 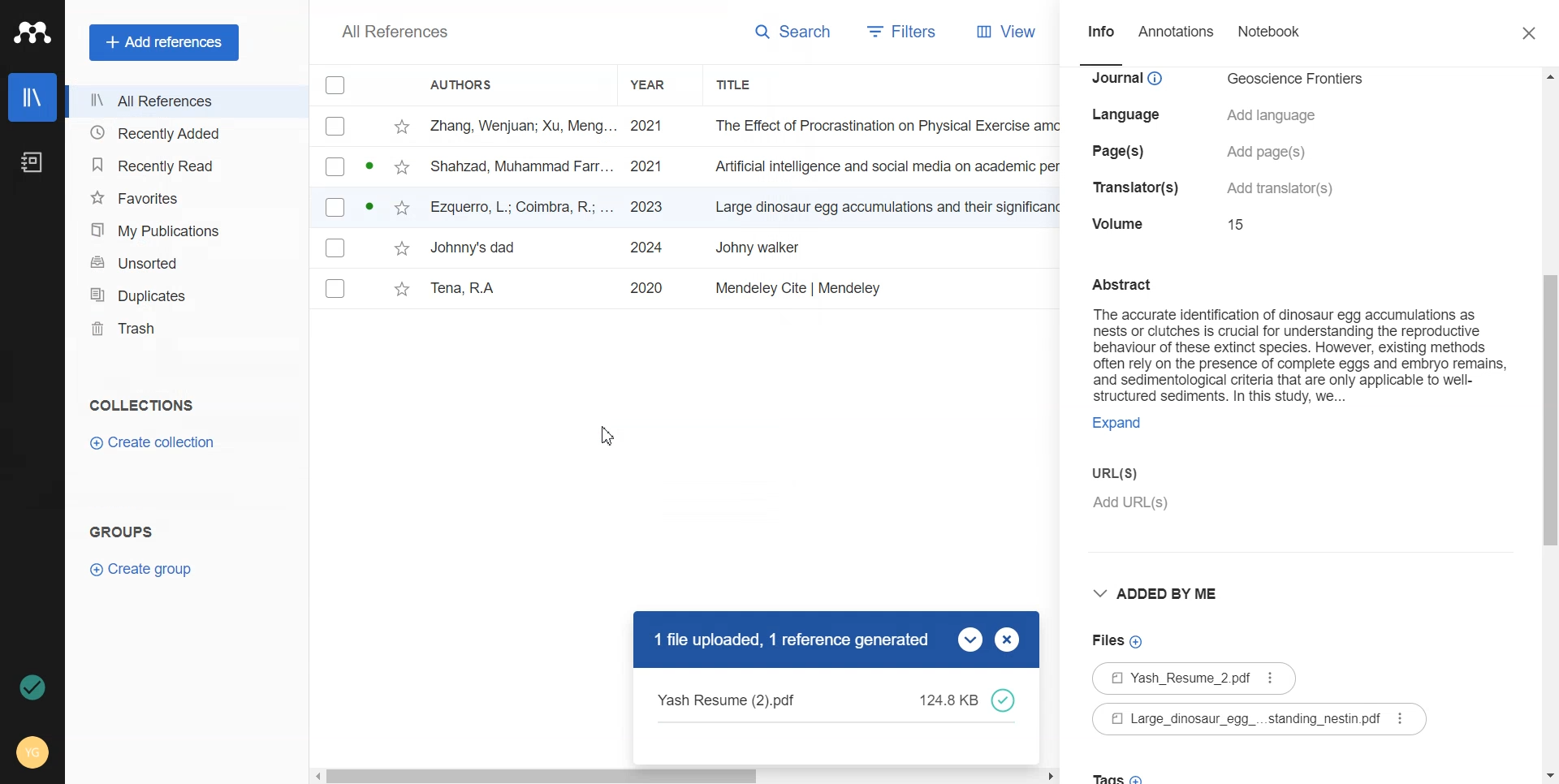 I want to click on Year, so click(x=658, y=84).